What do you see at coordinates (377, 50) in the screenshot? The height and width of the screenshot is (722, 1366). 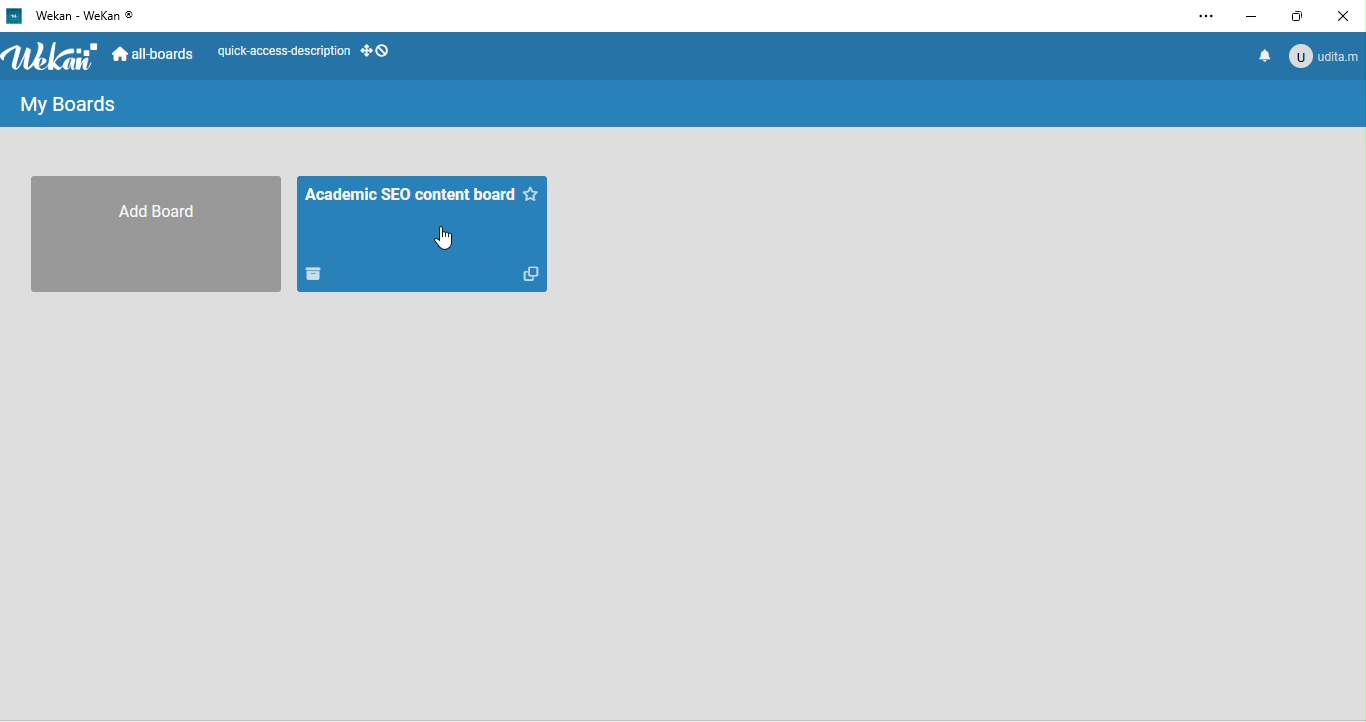 I see `show desktop drag handles` at bounding box center [377, 50].